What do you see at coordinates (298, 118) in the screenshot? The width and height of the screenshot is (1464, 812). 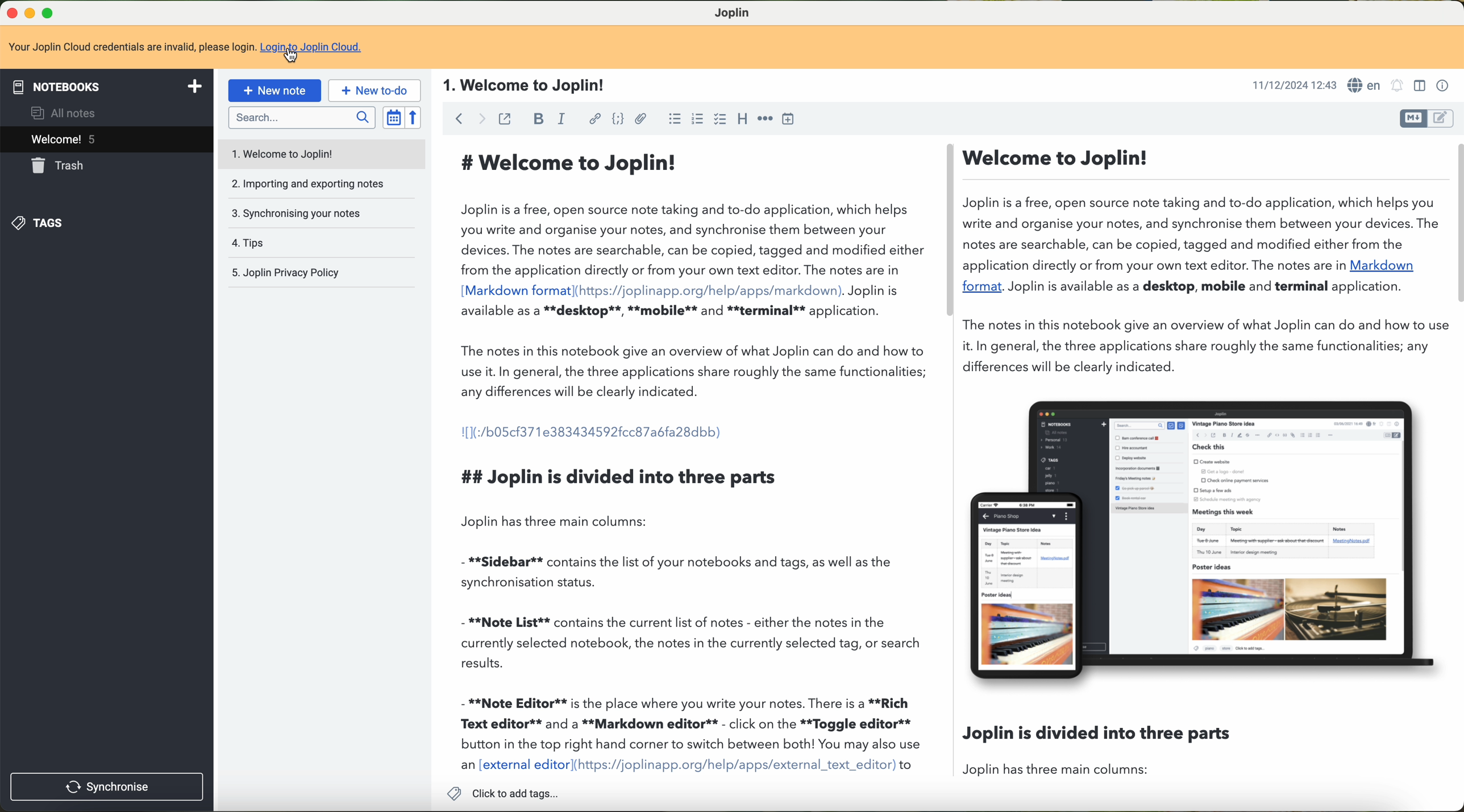 I see `search bar` at bounding box center [298, 118].